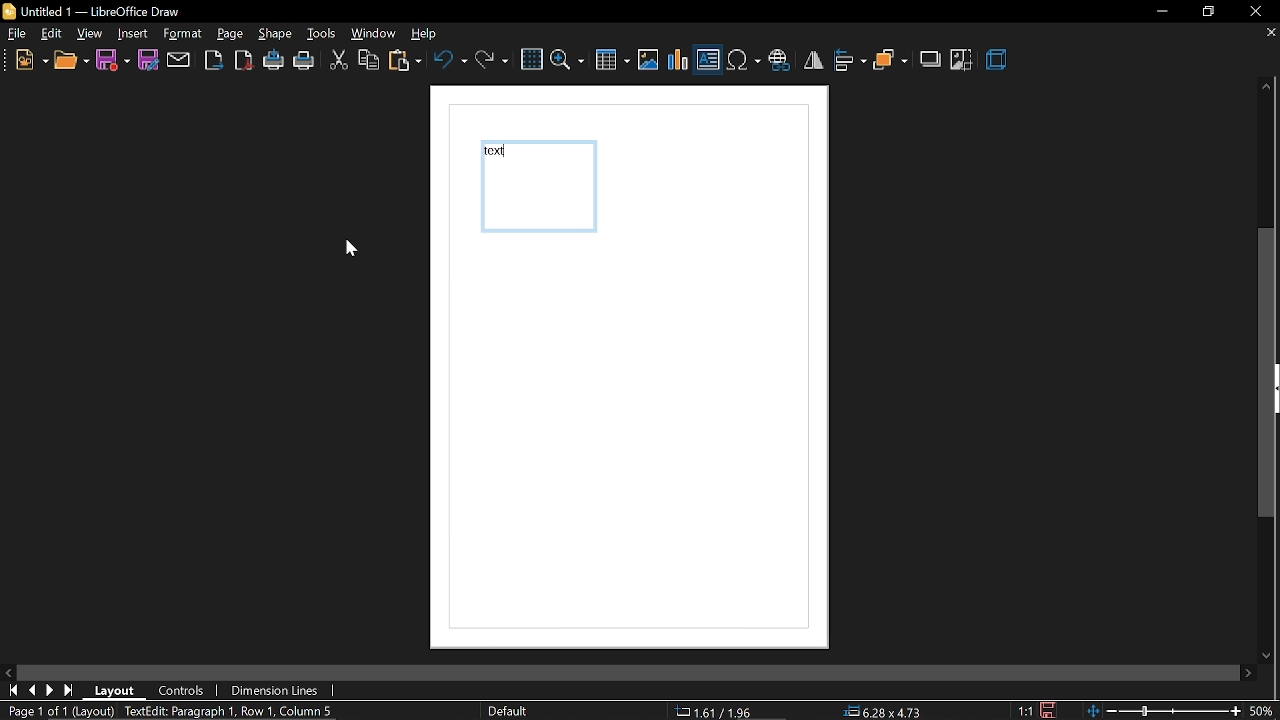  What do you see at coordinates (305, 63) in the screenshot?
I see `print` at bounding box center [305, 63].